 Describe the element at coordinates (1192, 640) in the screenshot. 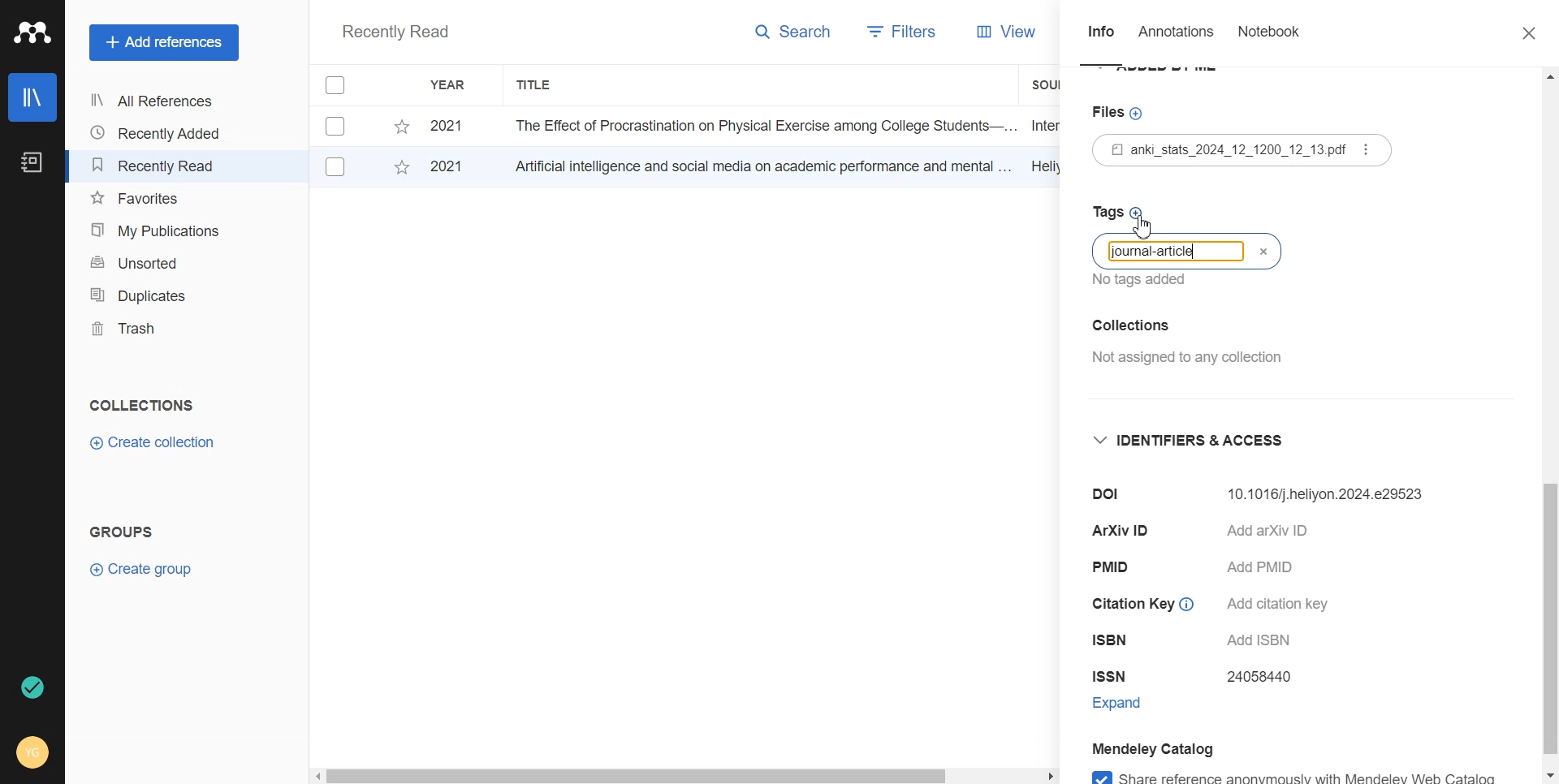

I see `ISBN Add ISBN` at that location.